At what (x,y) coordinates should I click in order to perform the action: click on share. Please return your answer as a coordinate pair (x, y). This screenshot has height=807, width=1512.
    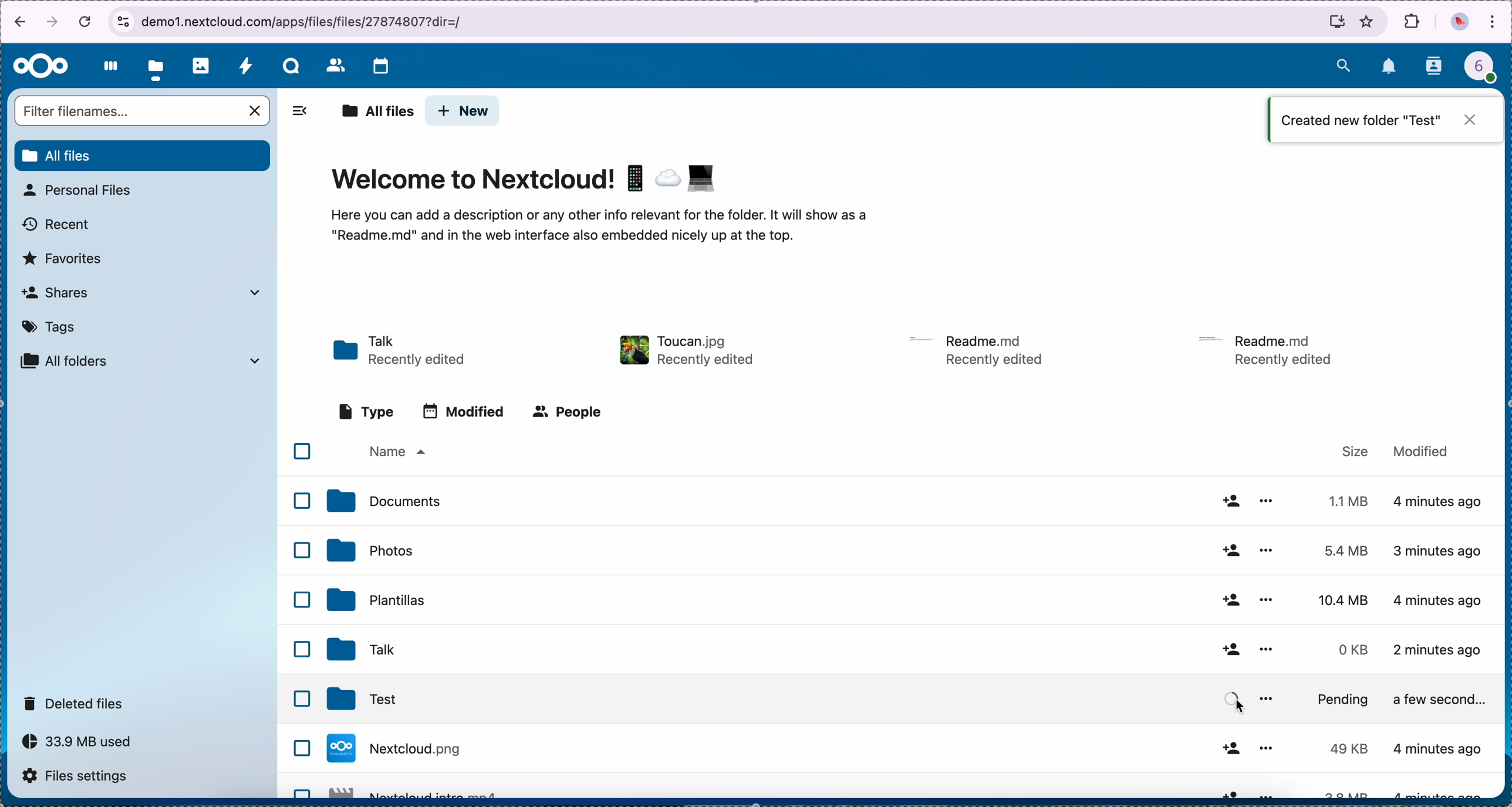
    Looking at the image, I should click on (1229, 650).